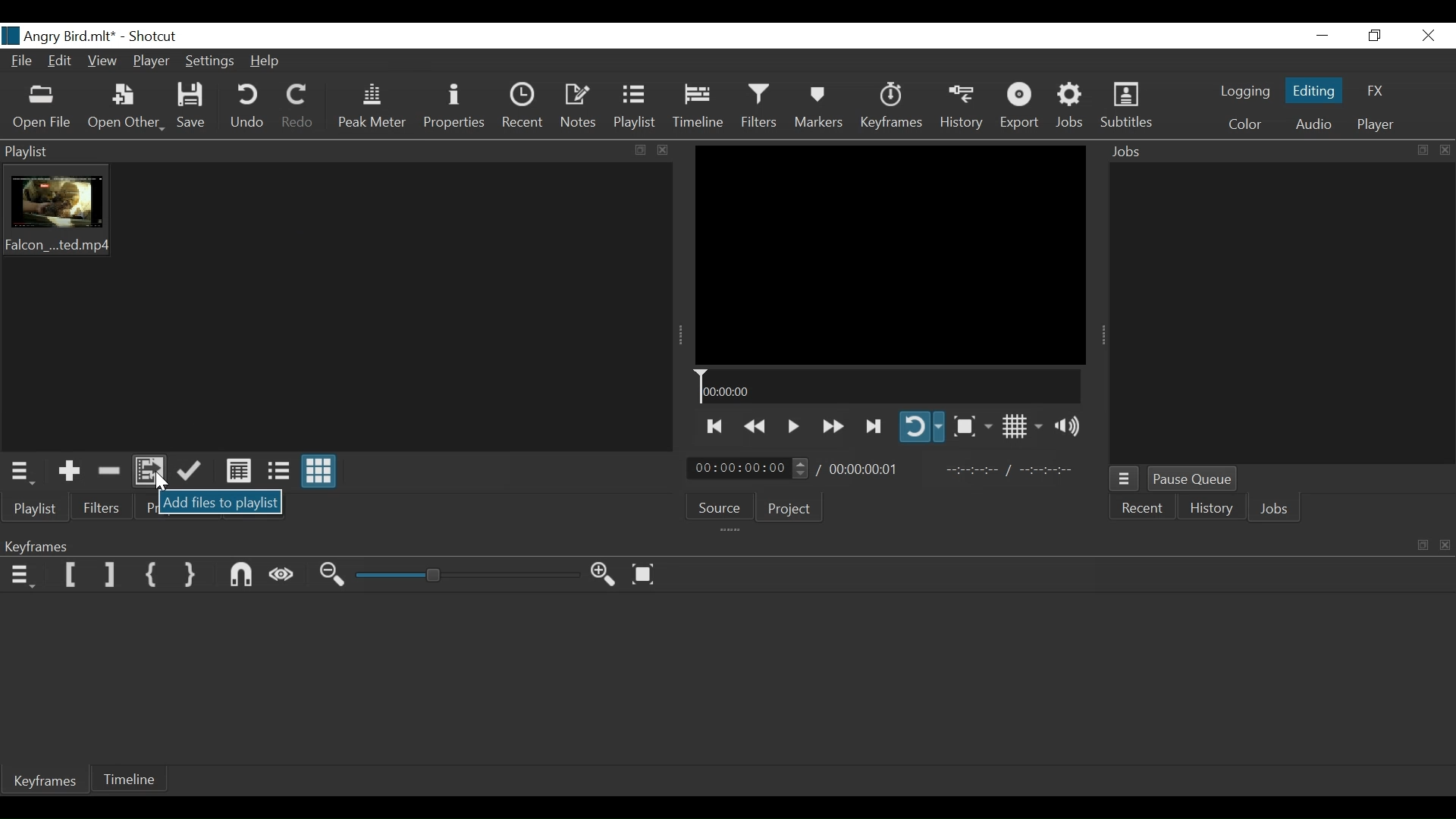  What do you see at coordinates (1191, 479) in the screenshot?
I see `Pause Queue` at bounding box center [1191, 479].